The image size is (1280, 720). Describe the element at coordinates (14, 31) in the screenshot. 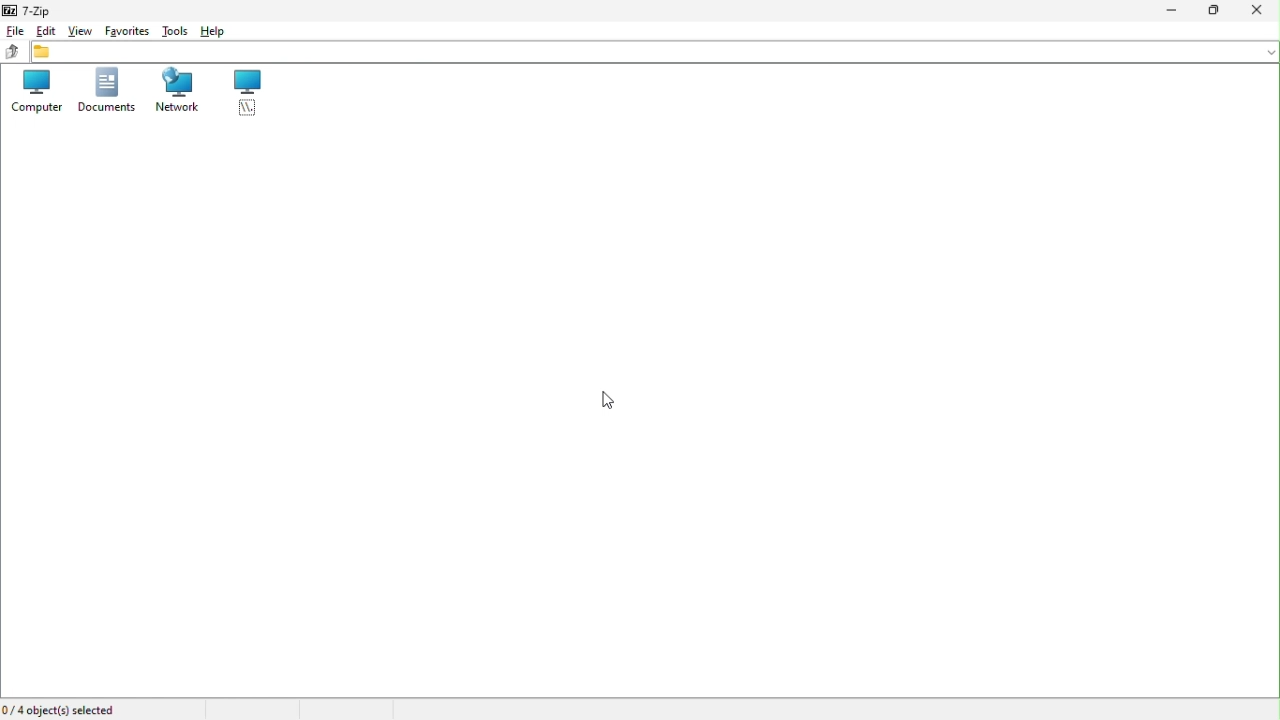

I see `file` at that location.